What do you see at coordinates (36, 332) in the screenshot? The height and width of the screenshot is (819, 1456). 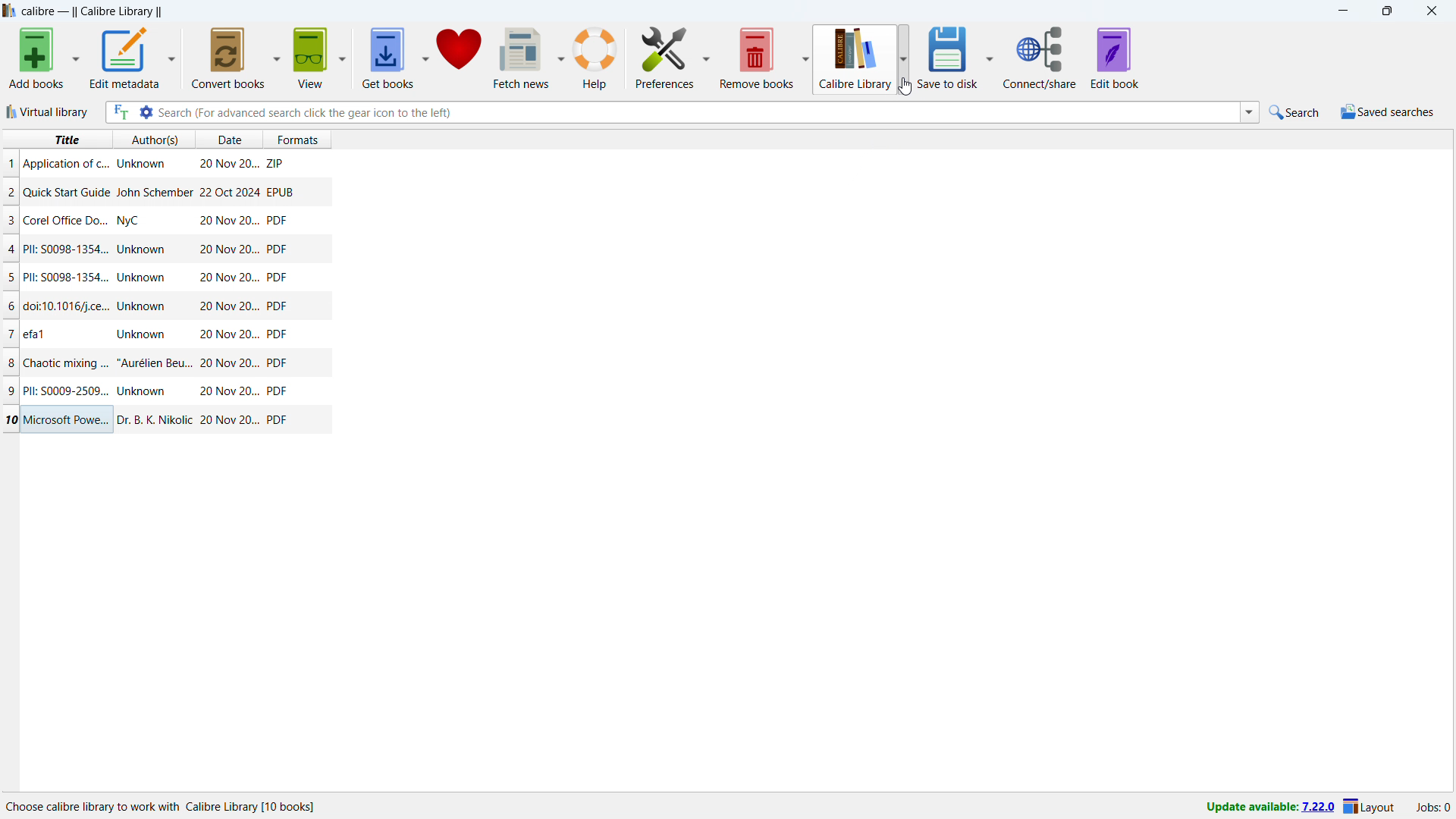 I see `Title` at bounding box center [36, 332].